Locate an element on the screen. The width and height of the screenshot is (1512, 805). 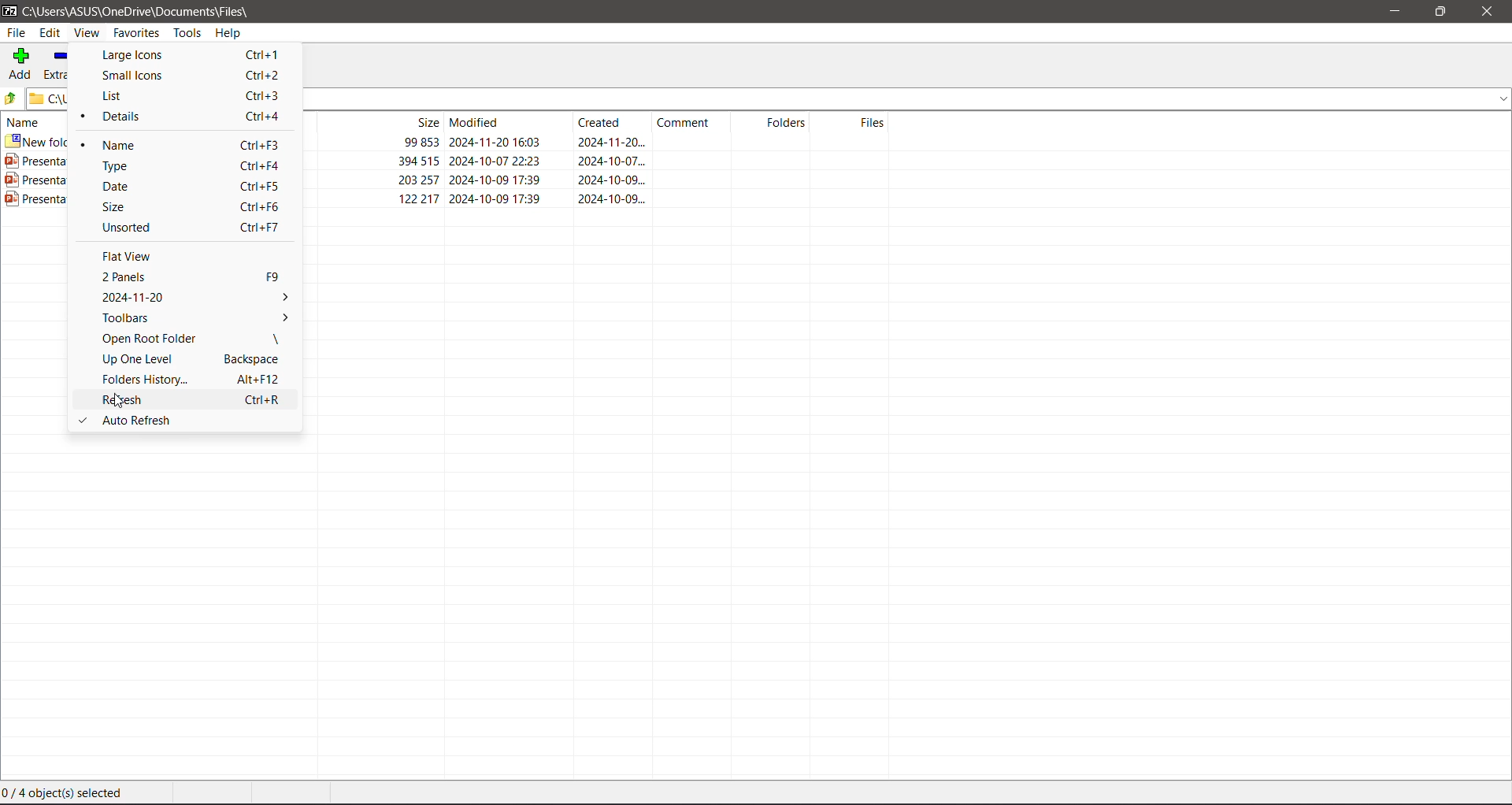
Name is located at coordinates (135, 144).